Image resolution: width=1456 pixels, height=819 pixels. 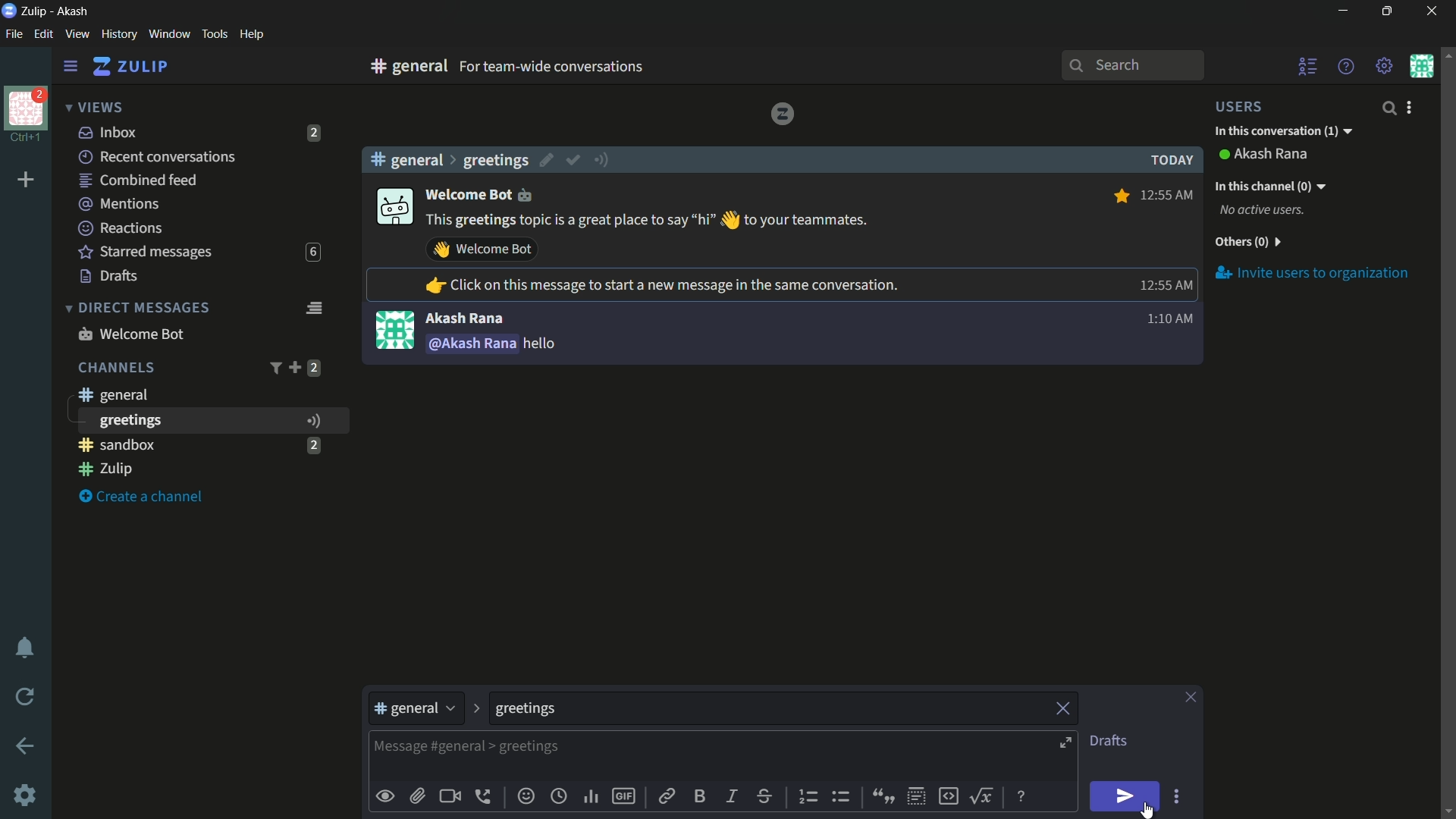 What do you see at coordinates (482, 249) in the screenshot?
I see `Send wave emoji to welcome bot` at bounding box center [482, 249].